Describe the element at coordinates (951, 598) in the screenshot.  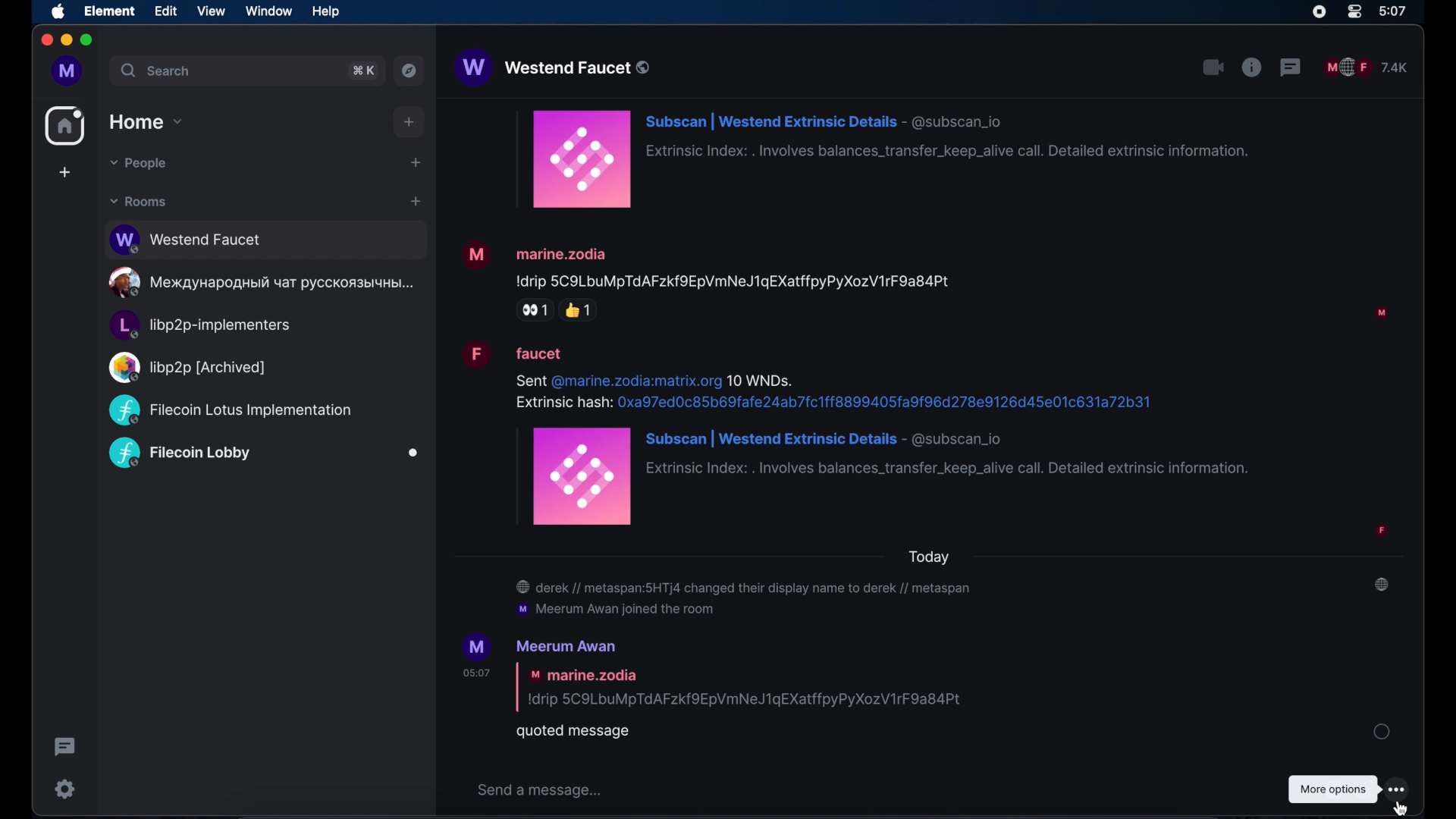
I see `room notifications` at that location.